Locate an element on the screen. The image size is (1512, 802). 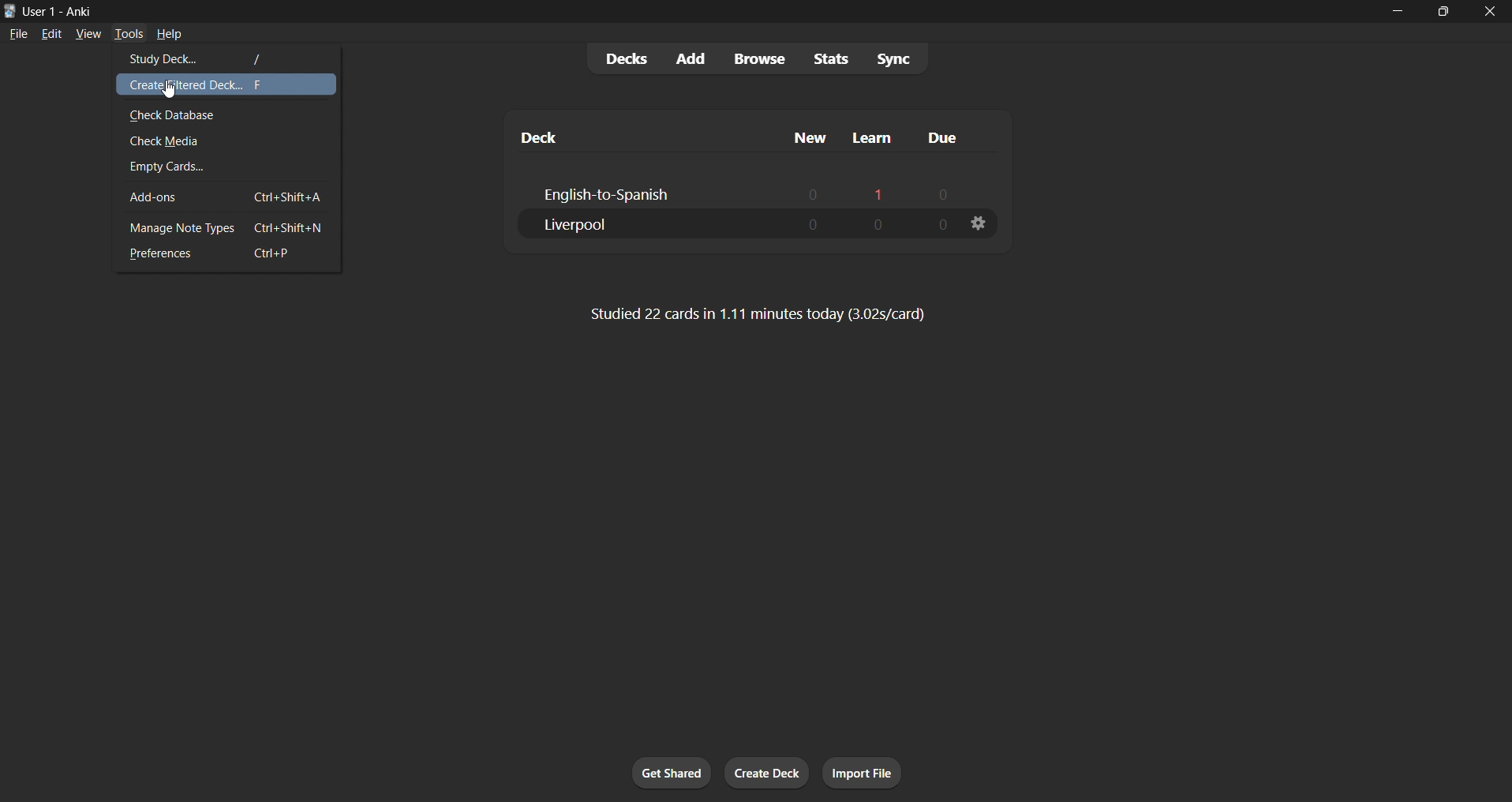
tools is located at coordinates (131, 32).